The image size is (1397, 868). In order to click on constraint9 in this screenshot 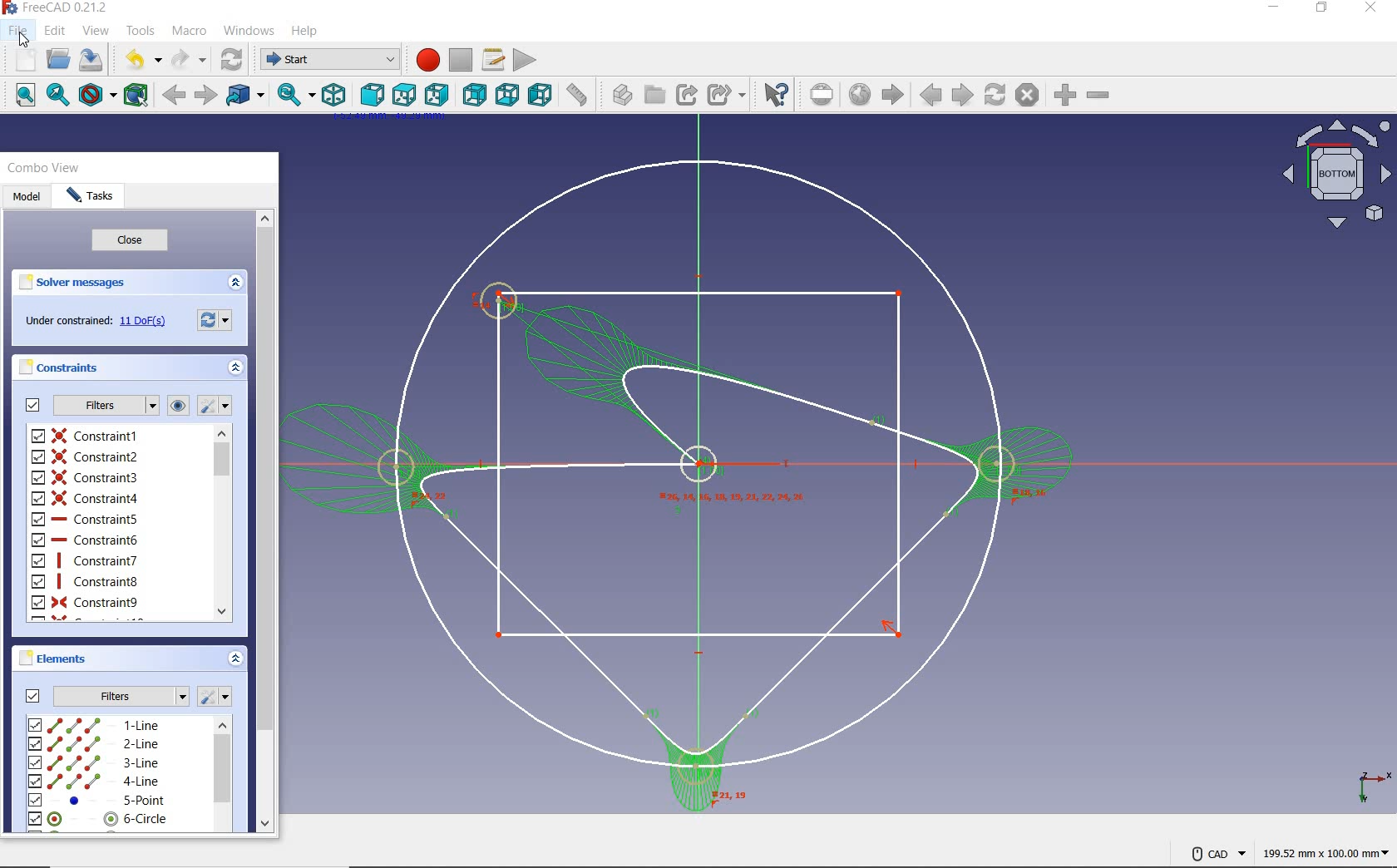, I will do `click(86, 603)`.